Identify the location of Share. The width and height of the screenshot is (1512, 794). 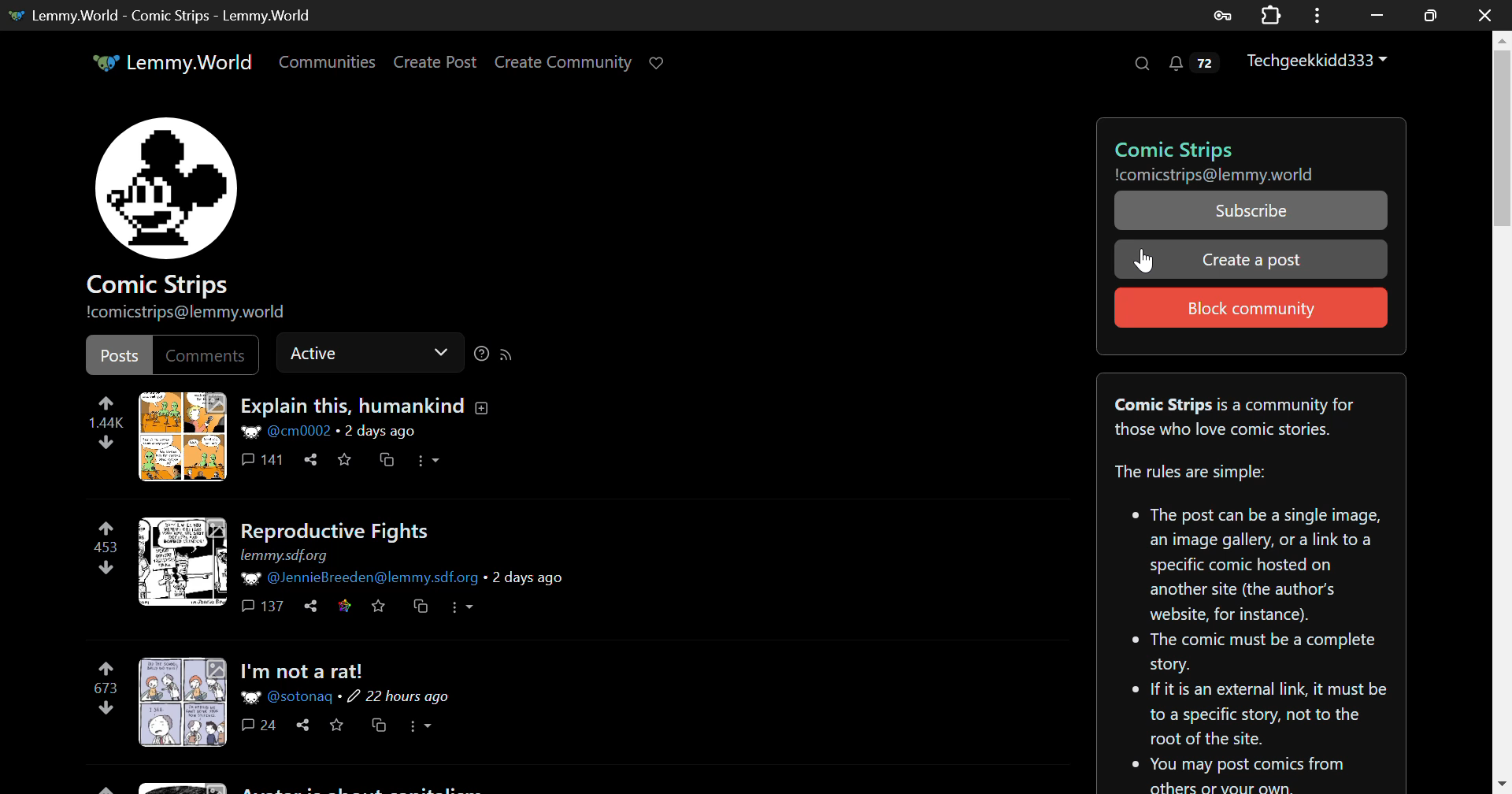
(310, 459).